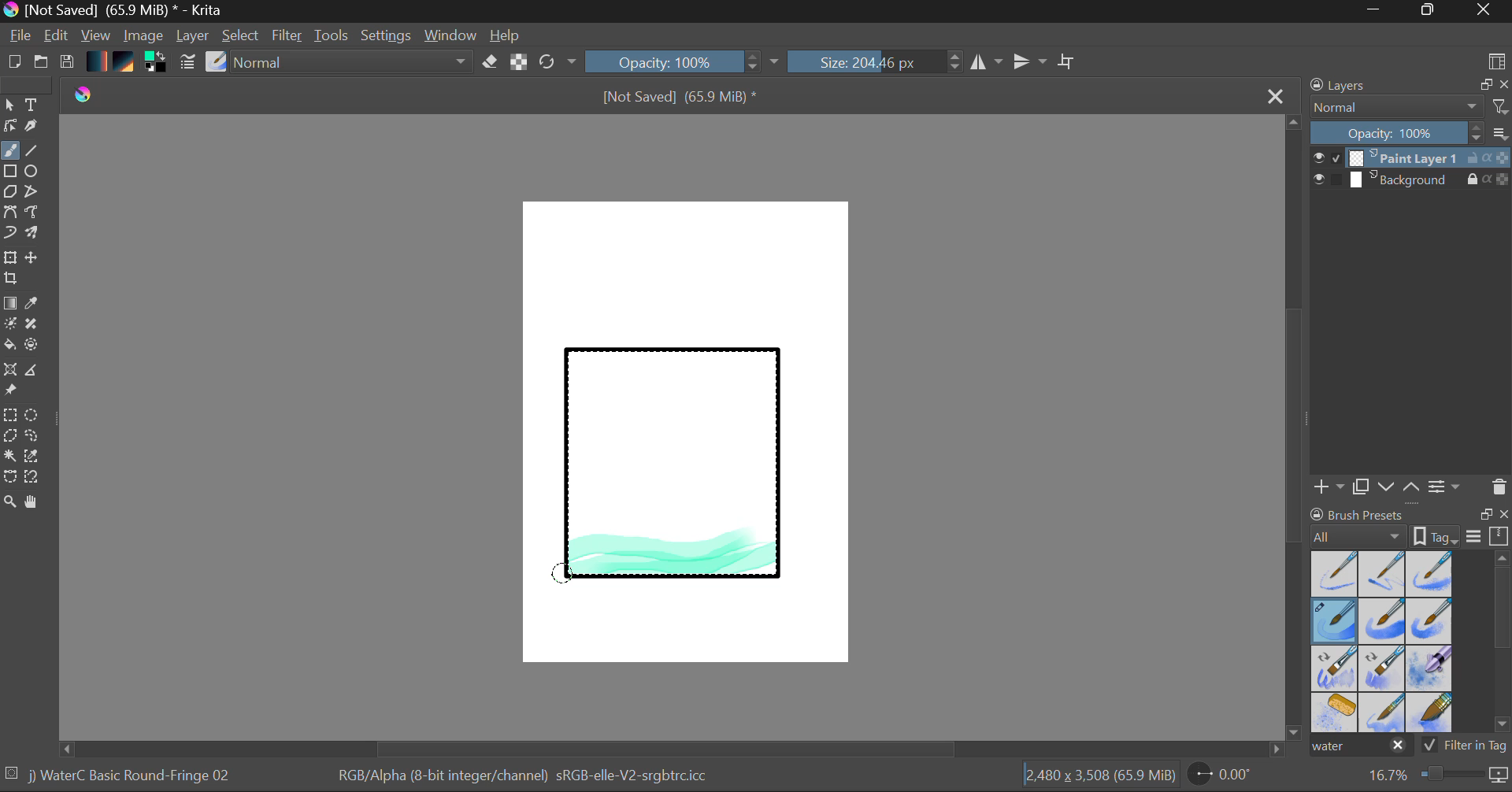 Image resolution: width=1512 pixels, height=792 pixels. I want to click on Dynamic Brush, so click(9, 233).